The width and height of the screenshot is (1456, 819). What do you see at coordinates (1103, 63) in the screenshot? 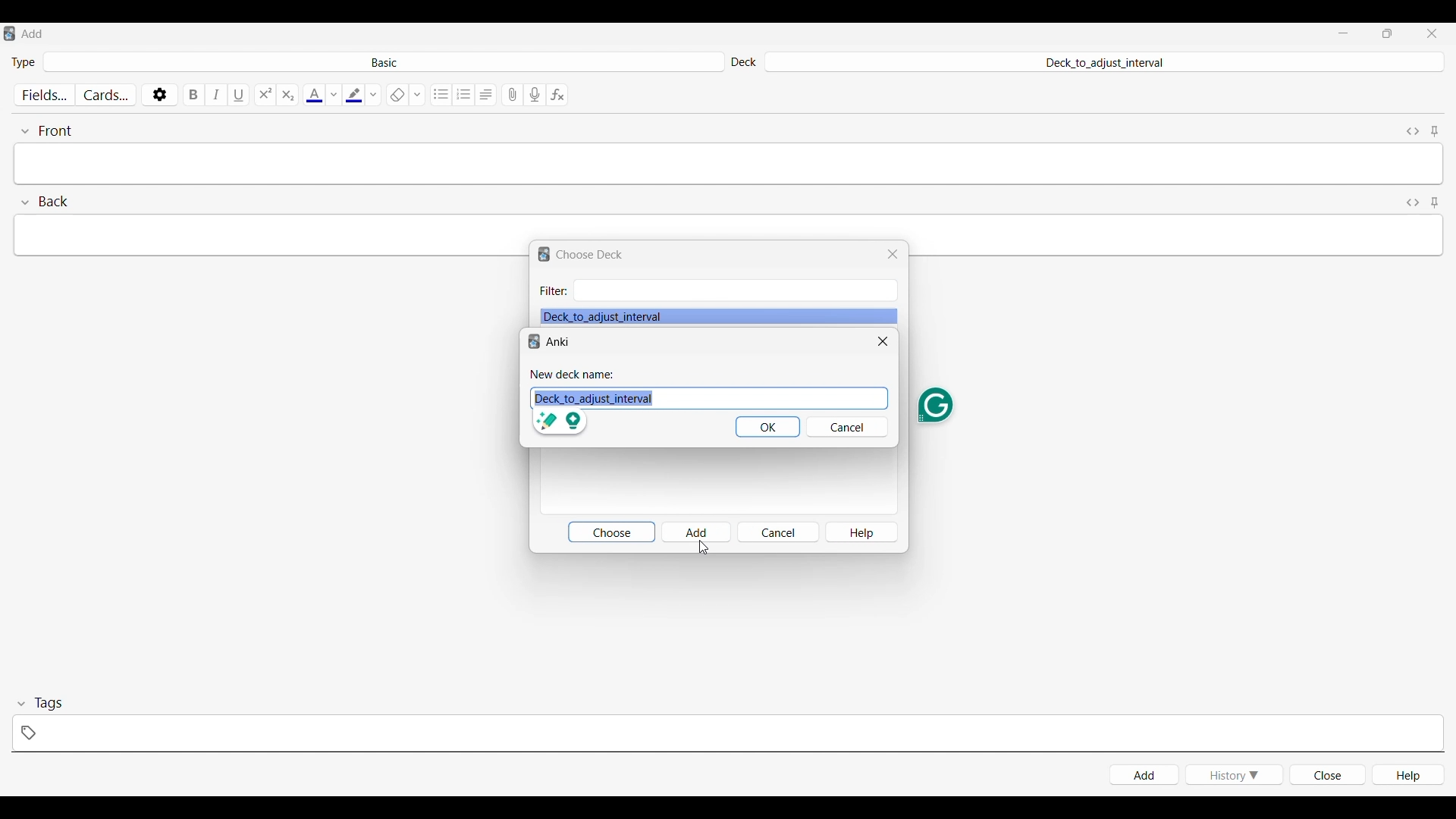
I see `Click to select deck` at bounding box center [1103, 63].